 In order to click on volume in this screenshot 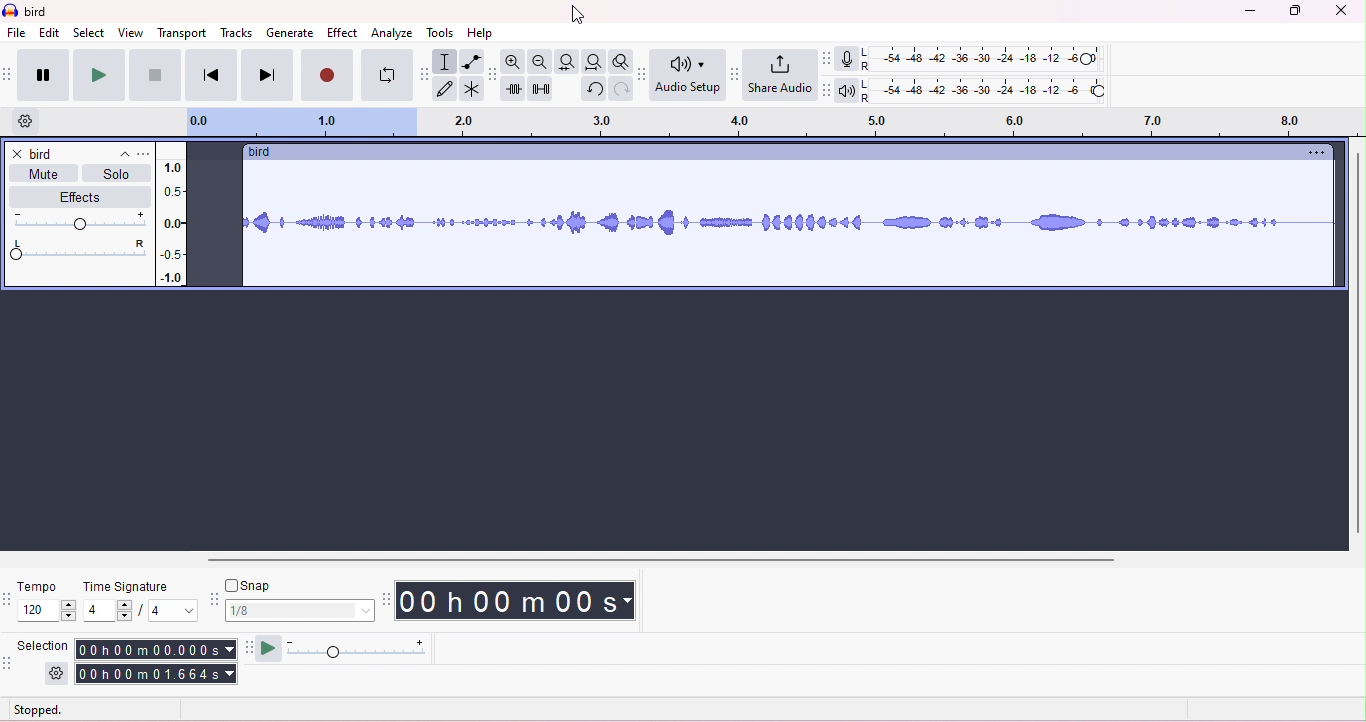, I will do `click(79, 221)`.